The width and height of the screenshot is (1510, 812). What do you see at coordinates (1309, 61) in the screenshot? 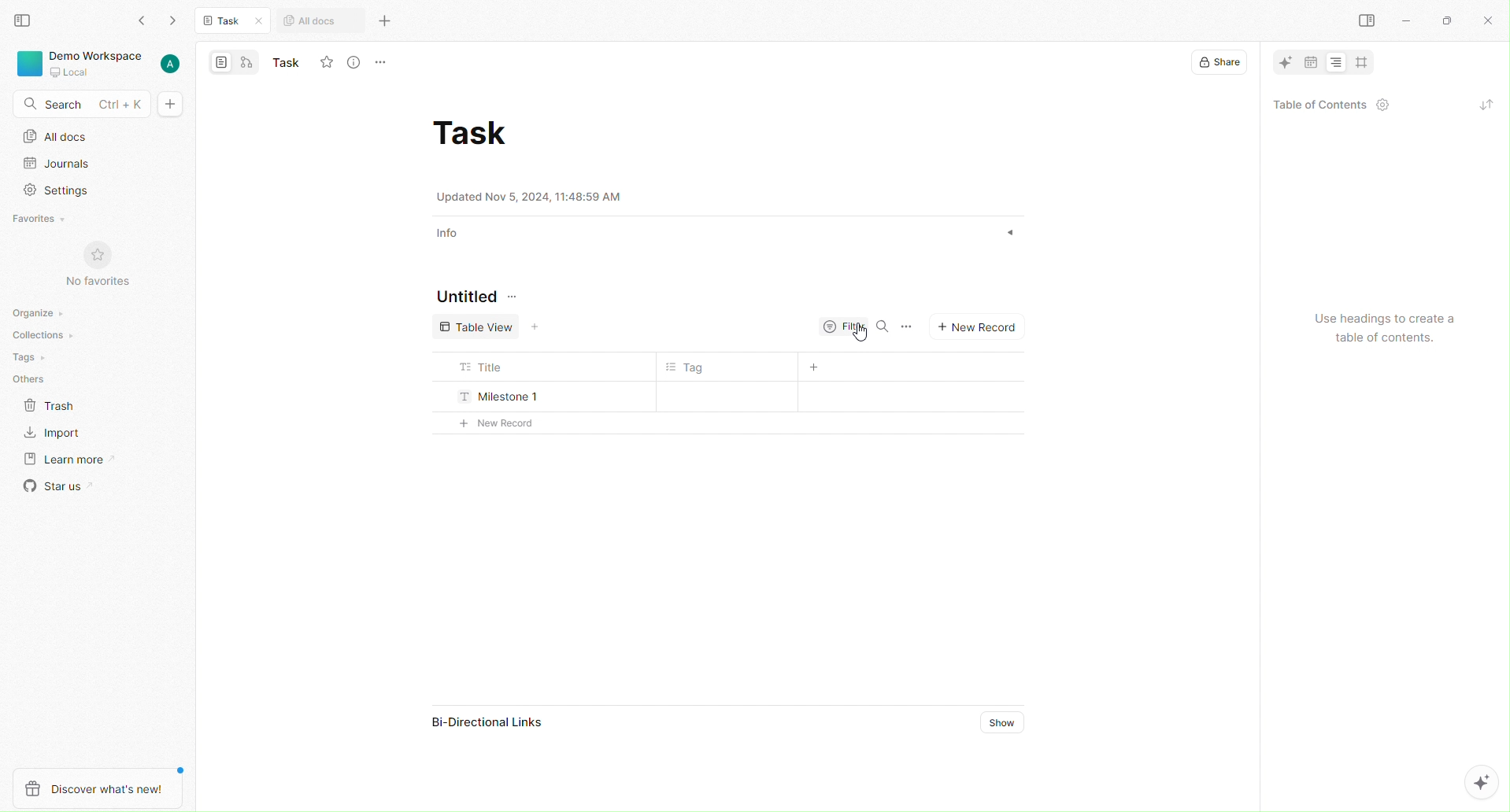
I see `date` at bounding box center [1309, 61].